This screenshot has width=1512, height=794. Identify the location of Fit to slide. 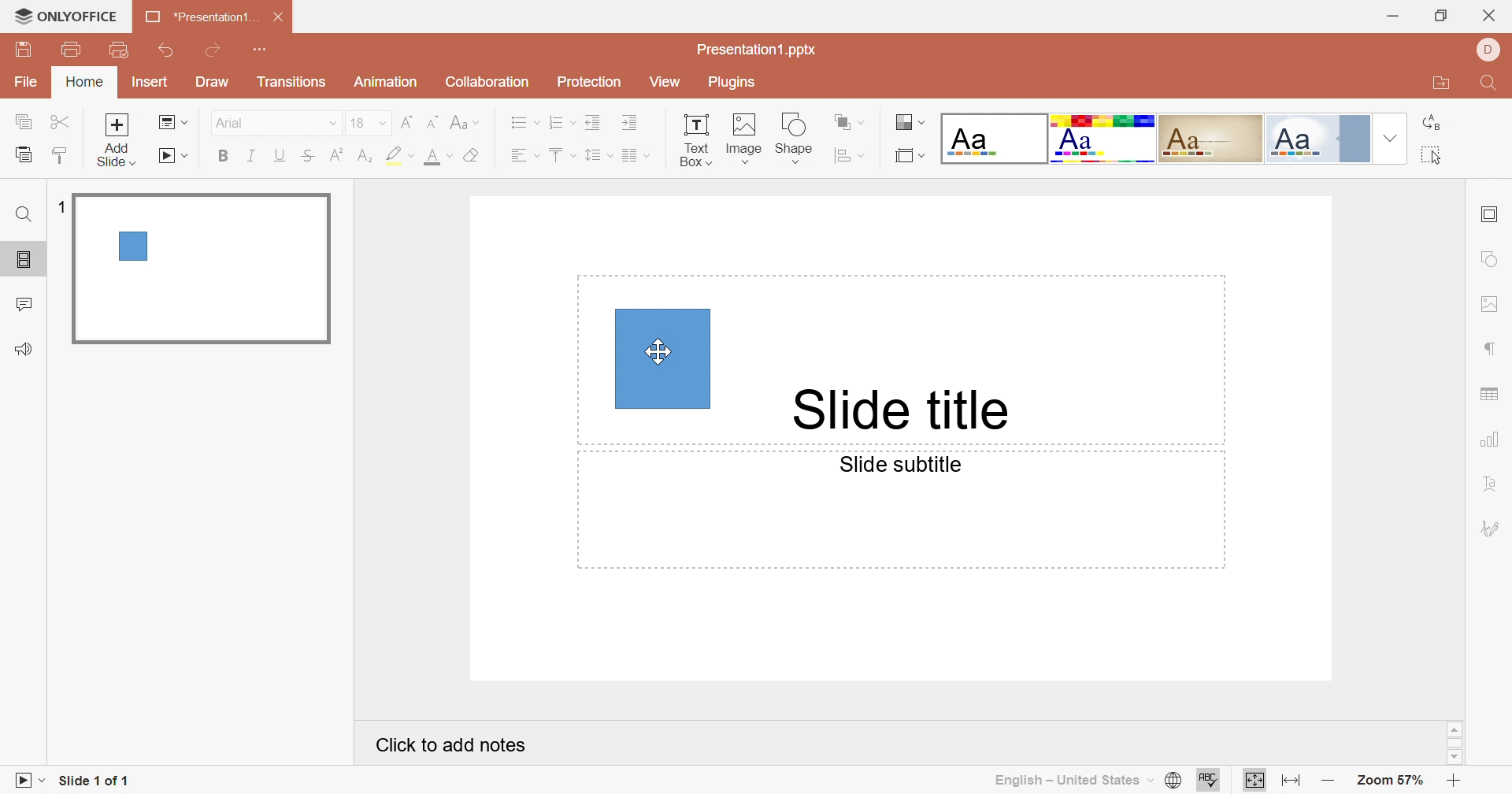
(1254, 780).